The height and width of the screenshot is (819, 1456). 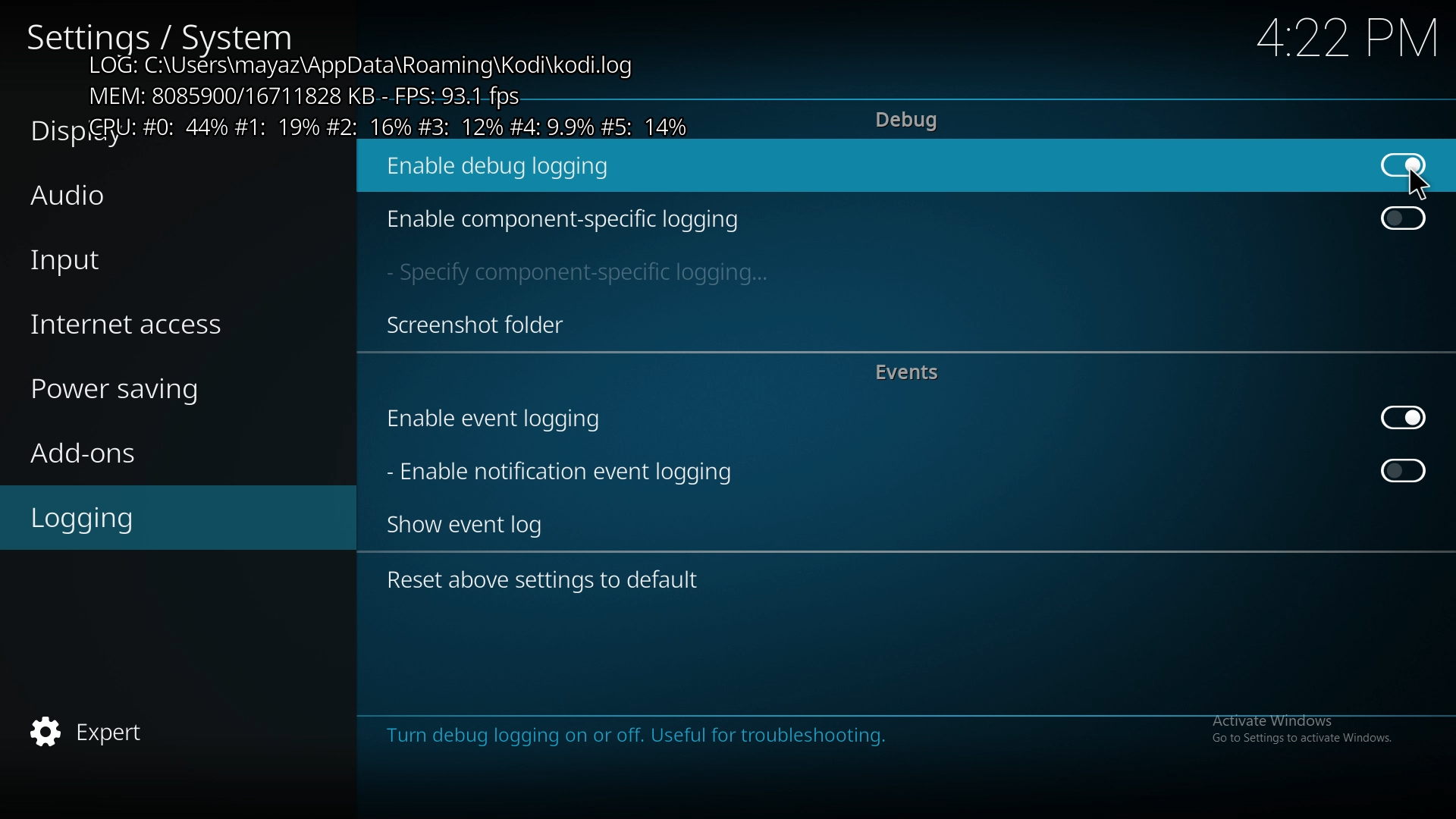 What do you see at coordinates (564, 219) in the screenshot?
I see `enable component specific logging` at bounding box center [564, 219].